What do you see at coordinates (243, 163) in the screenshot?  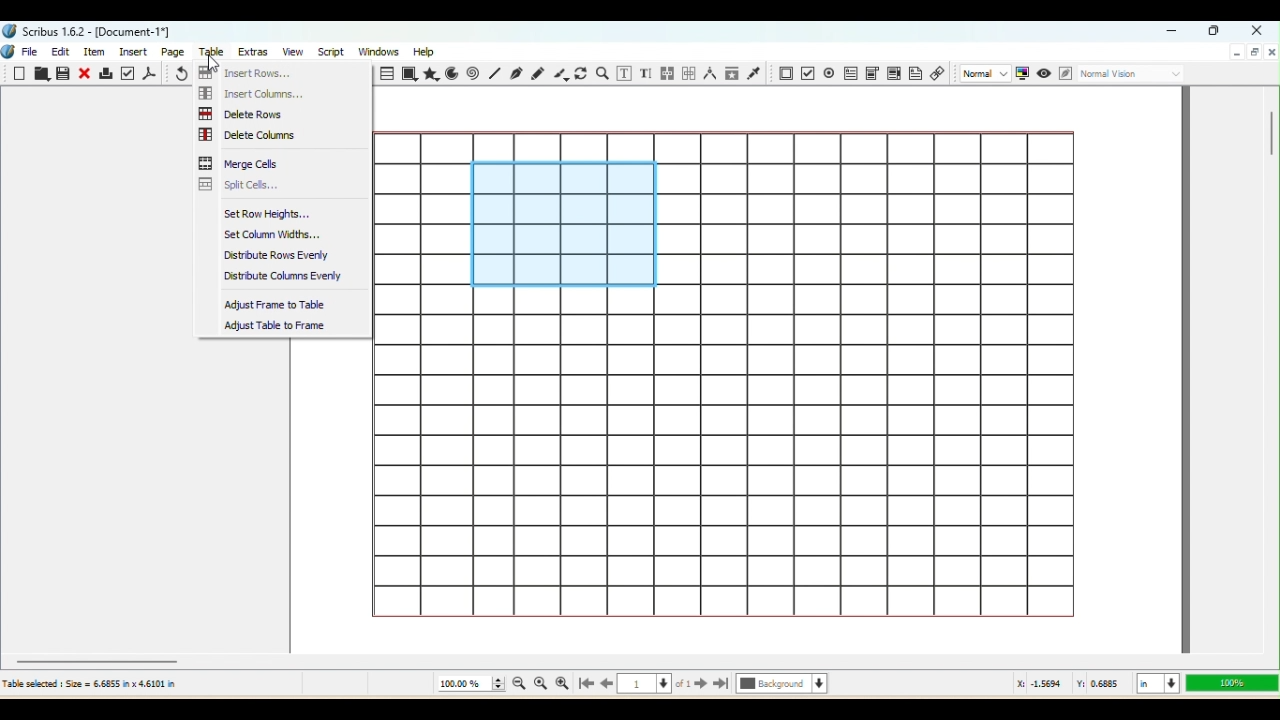 I see `Merge cells` at bounding box center [243, 163].